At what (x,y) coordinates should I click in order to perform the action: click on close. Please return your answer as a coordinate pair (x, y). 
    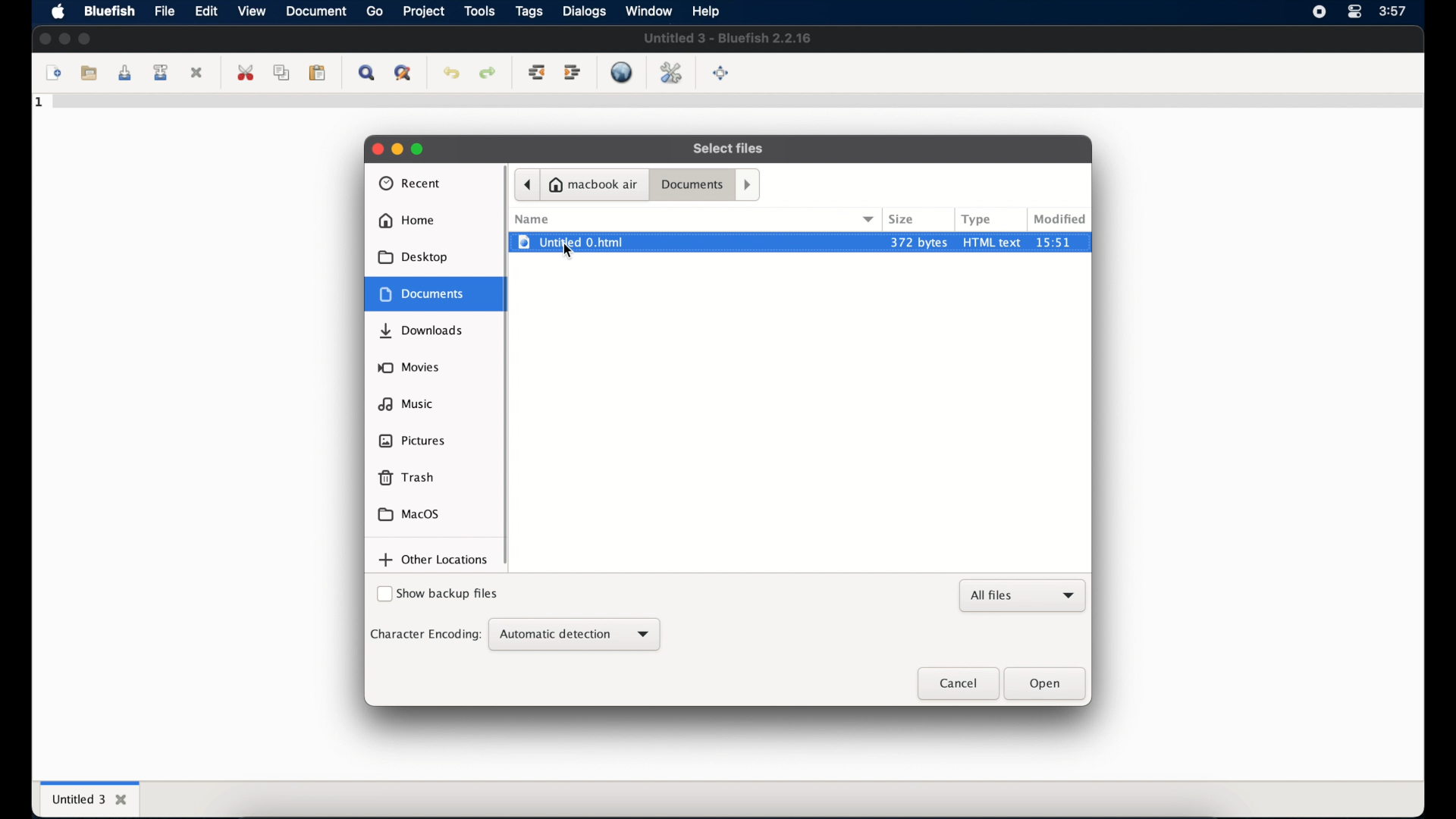
    Looking at the image, I should click on (44, 39).